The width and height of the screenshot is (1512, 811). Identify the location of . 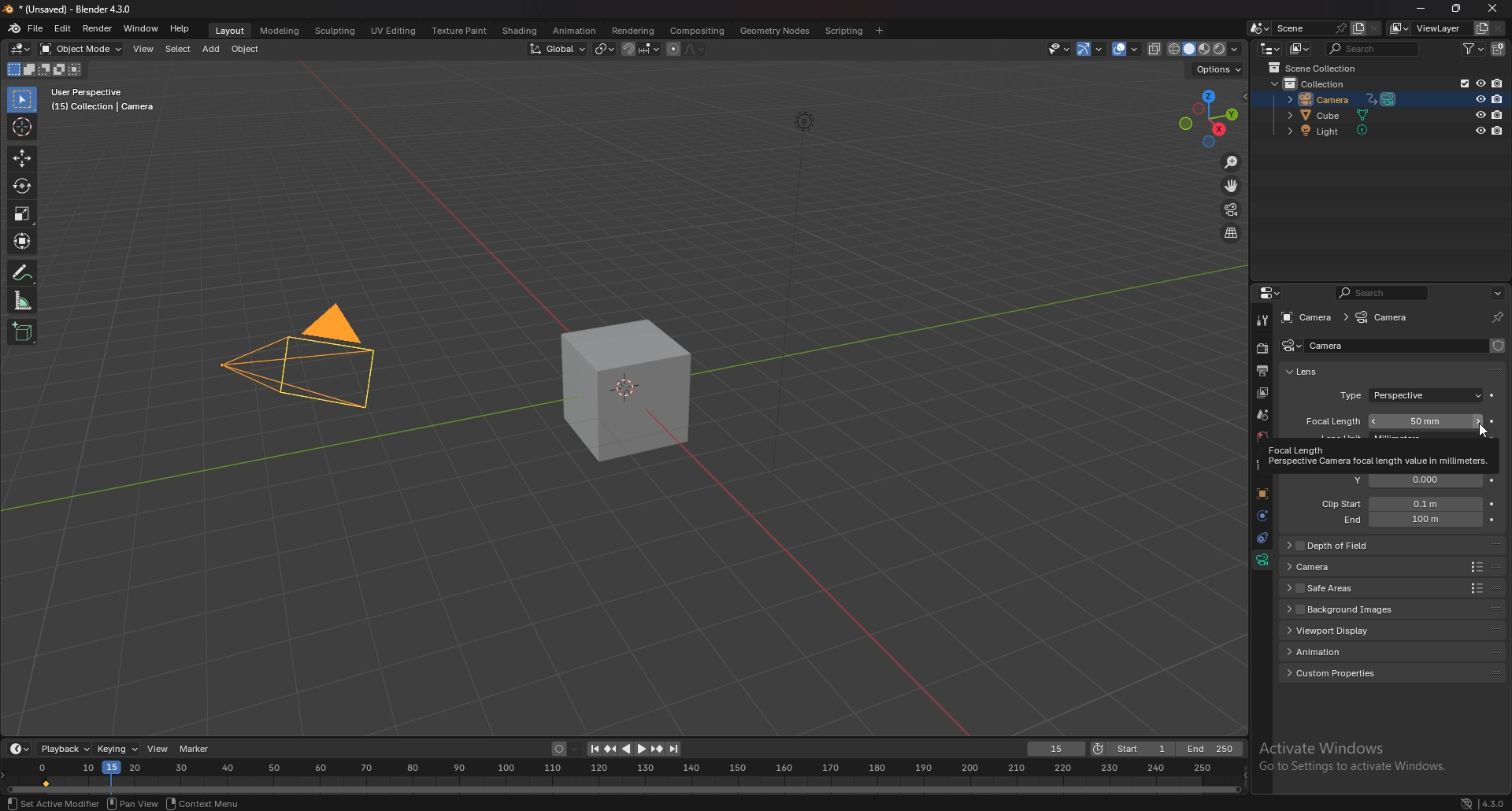
(131, 803).